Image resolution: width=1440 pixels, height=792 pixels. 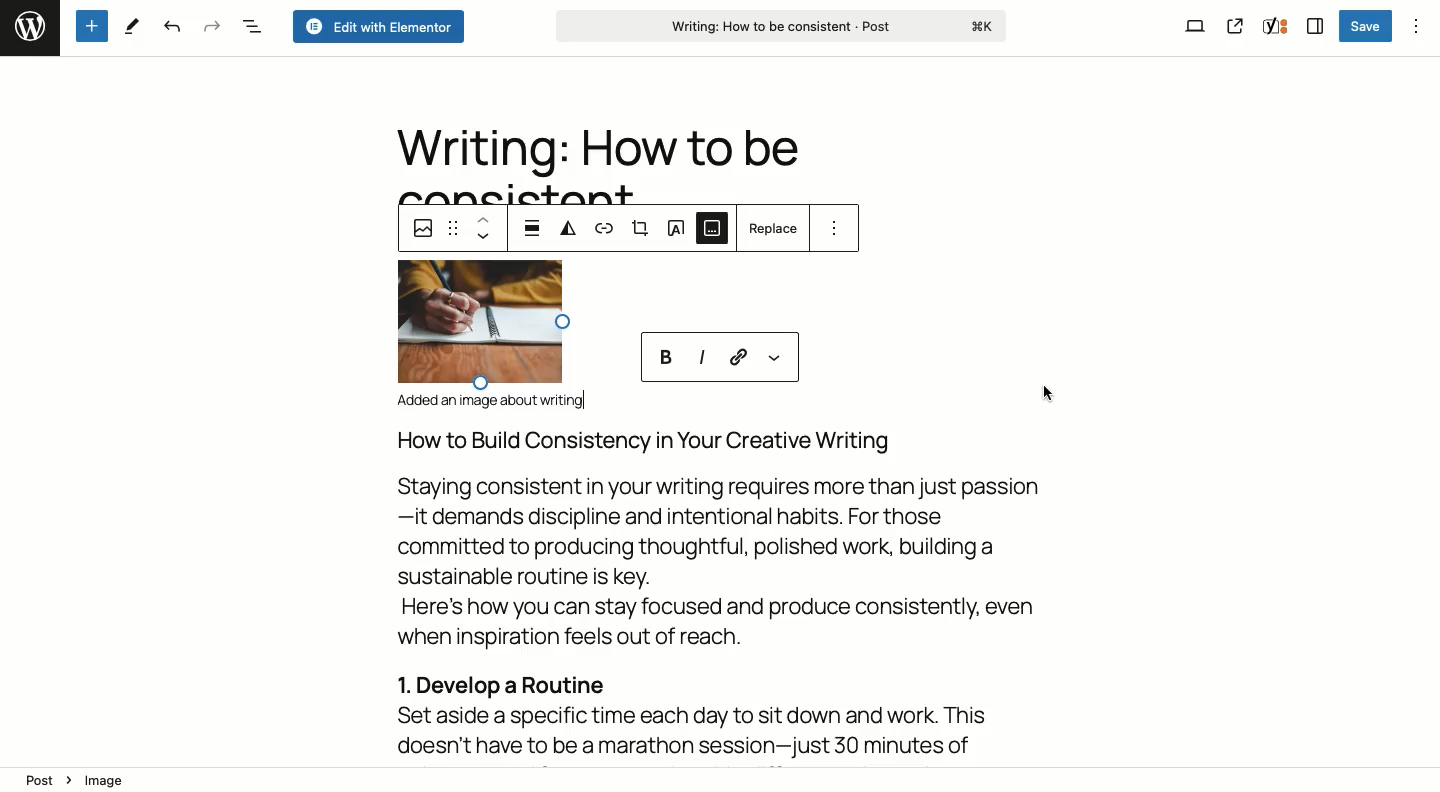 I want to click on Undo, so click(x=171, y=28).